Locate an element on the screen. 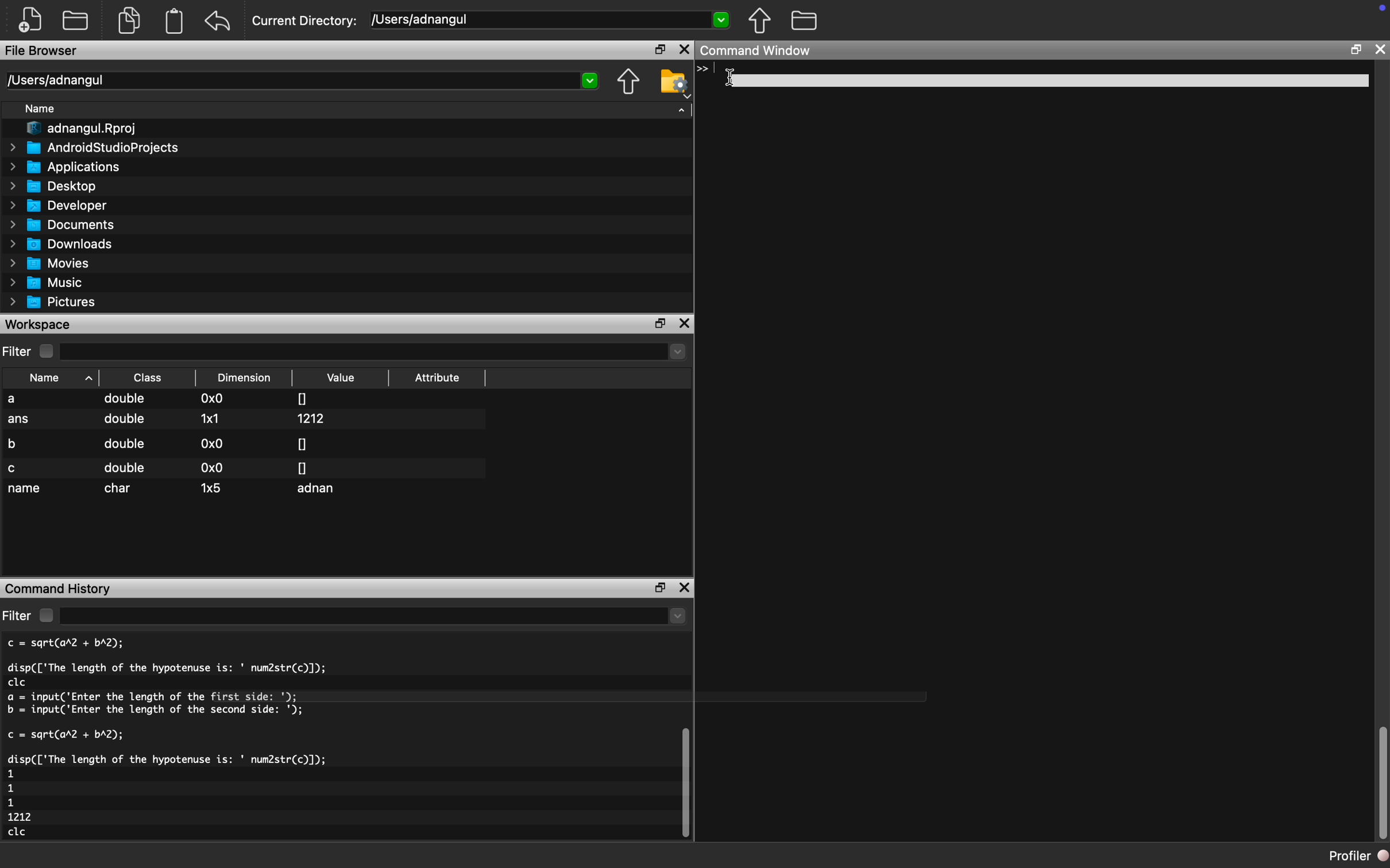  a is located at coordinates (21, 400).